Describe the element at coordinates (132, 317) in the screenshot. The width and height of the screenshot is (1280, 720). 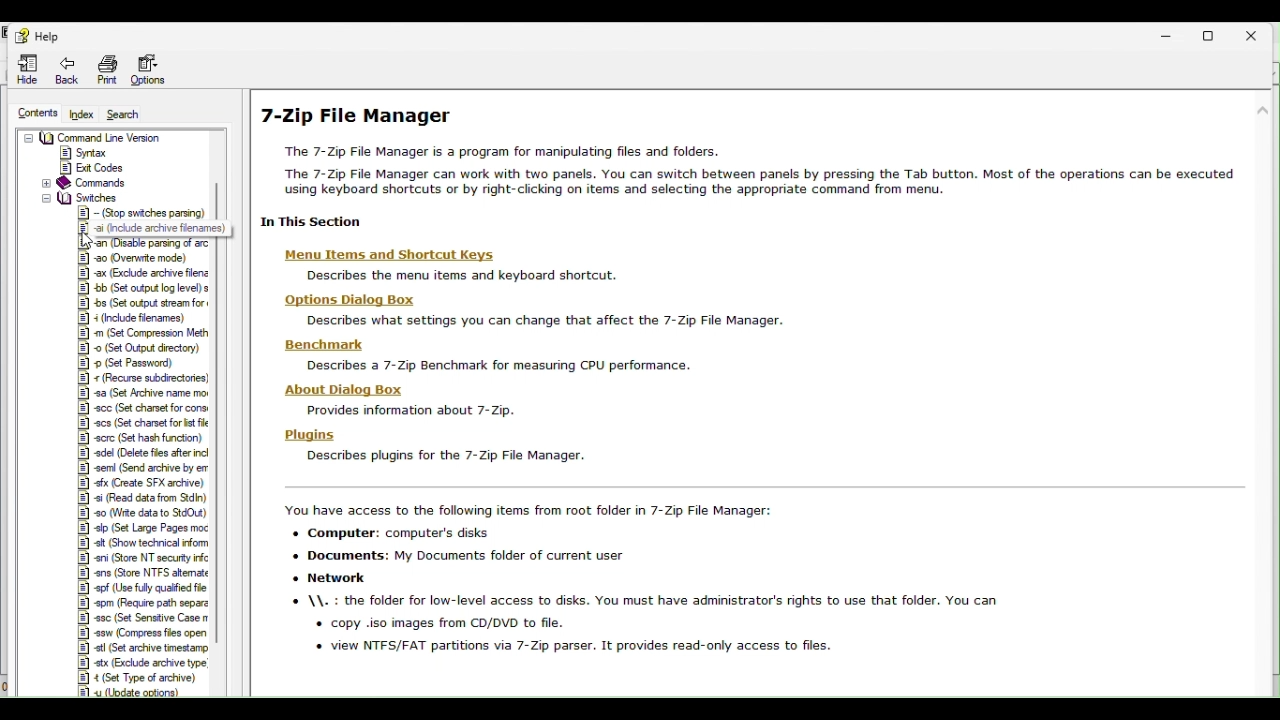
I see `Include filenames` at that location.